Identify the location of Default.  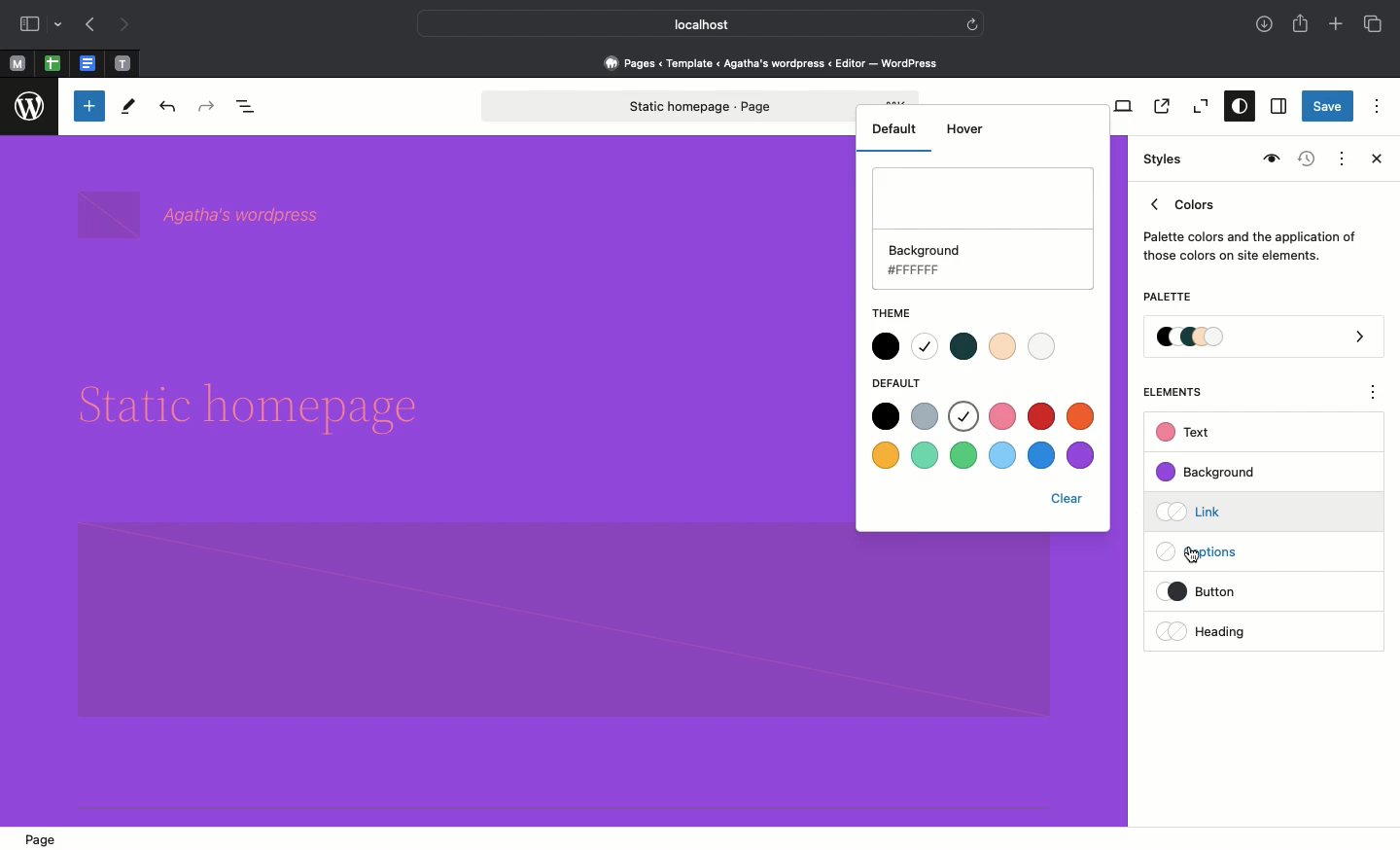
(892, 129).